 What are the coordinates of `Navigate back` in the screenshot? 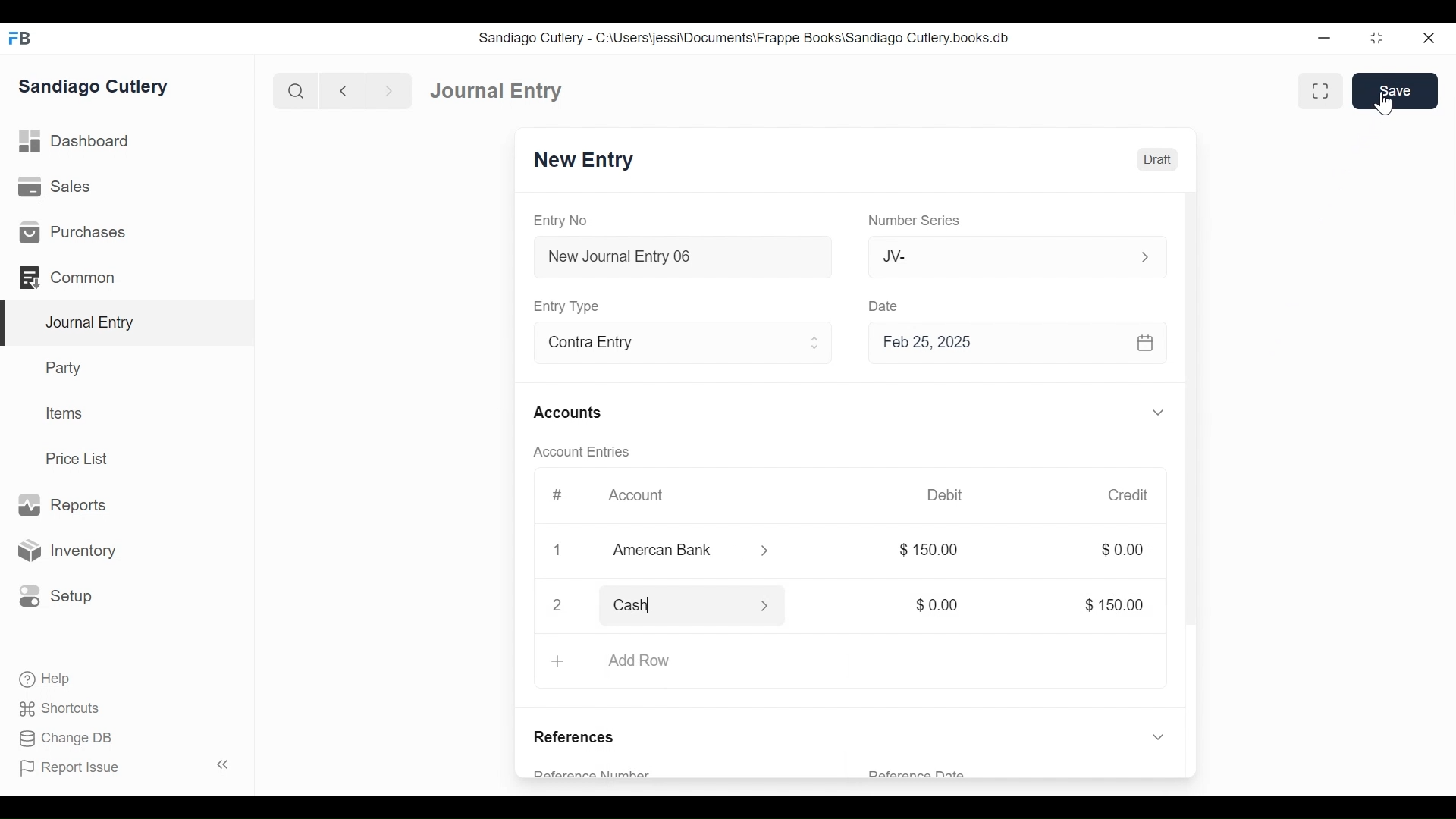 It's located at (343, 93).